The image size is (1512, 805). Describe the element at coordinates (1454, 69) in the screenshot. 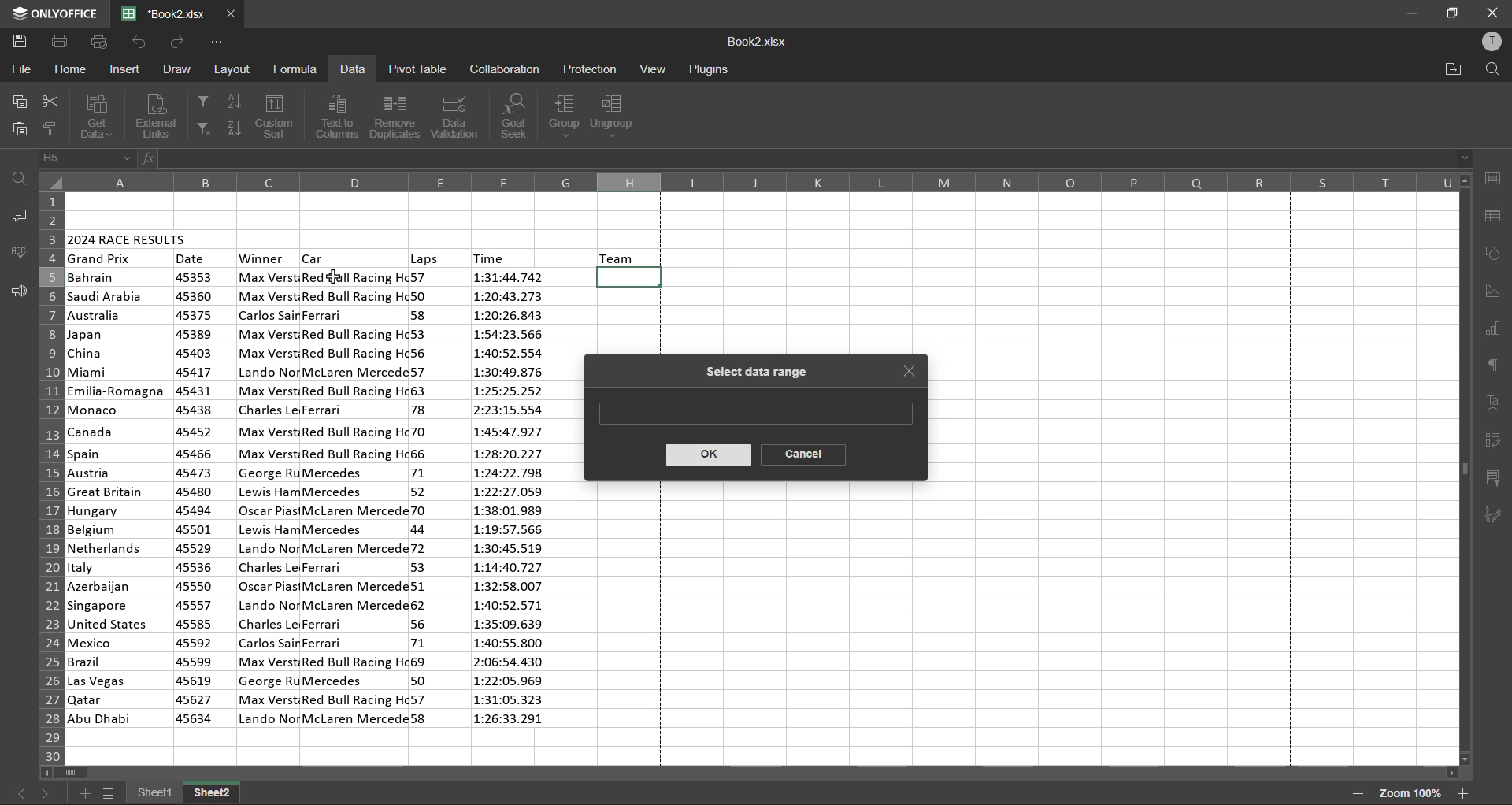

I see `open location` at that location.